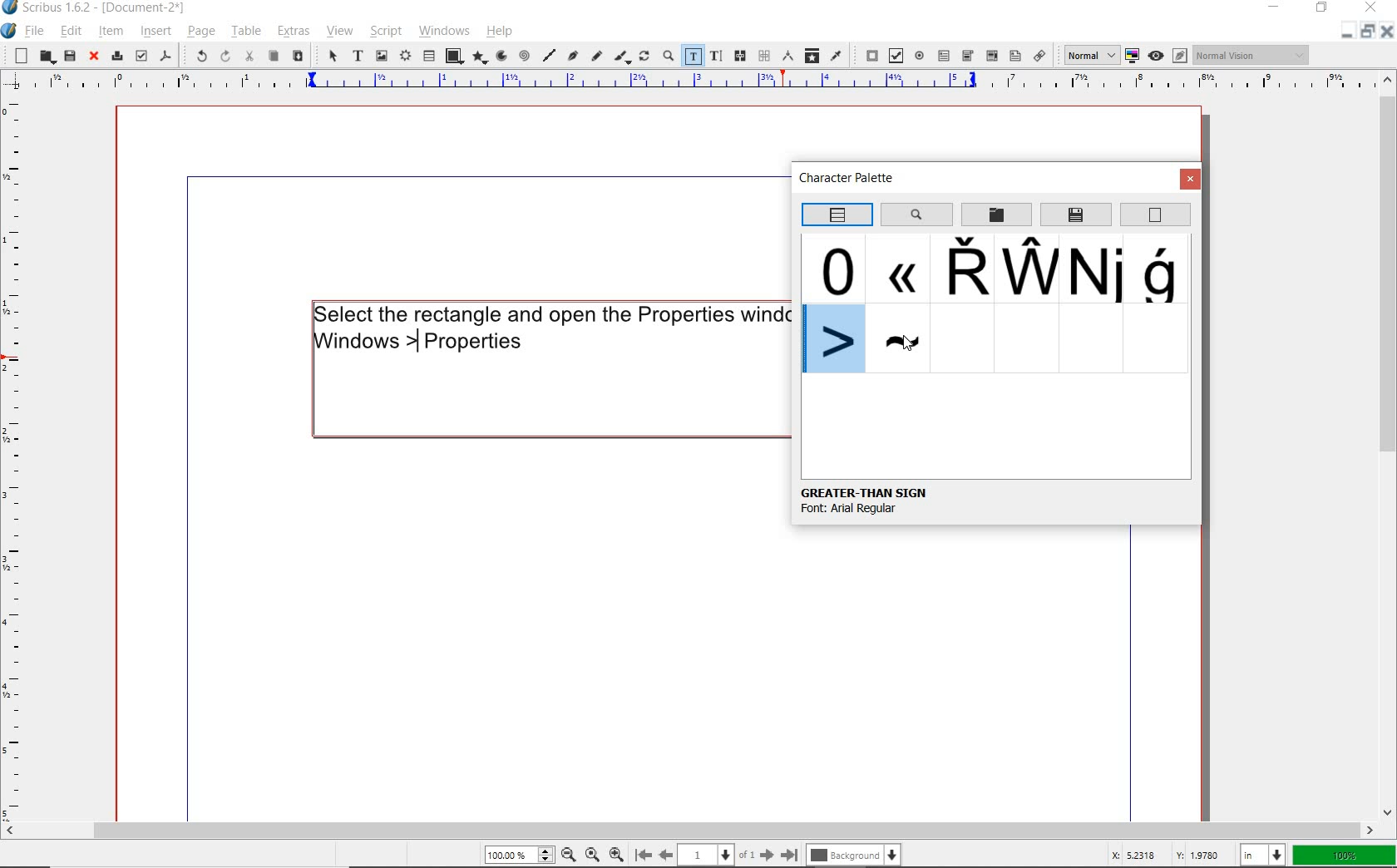 This screenshot has height=868, width=1397. What do you see at coordinates (1191, 180) in the screenshot?
I see `close` at bounding box center [1191, 180].